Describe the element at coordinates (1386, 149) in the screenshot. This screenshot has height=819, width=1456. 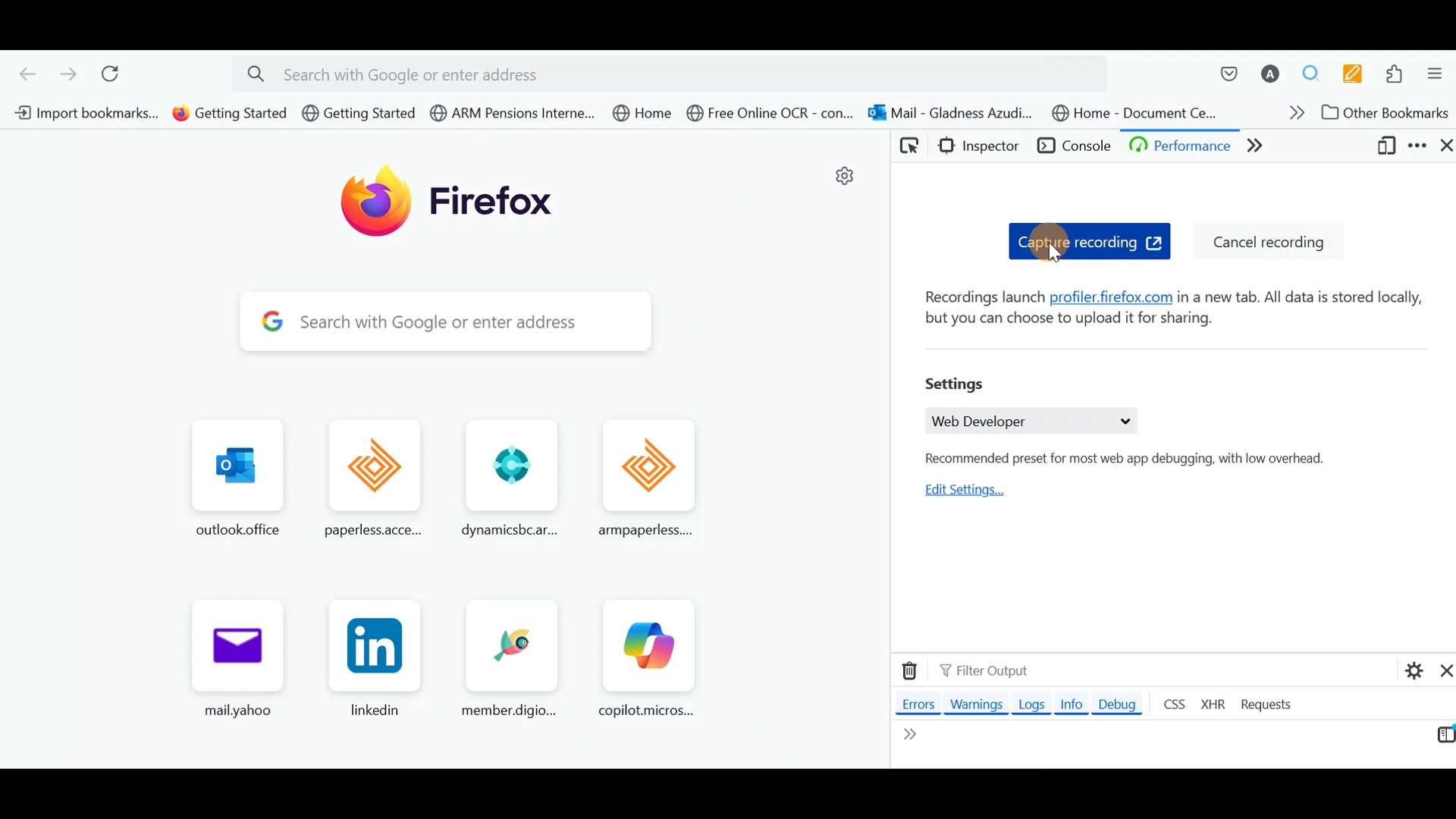
I see `Responsive design mode` at that location.